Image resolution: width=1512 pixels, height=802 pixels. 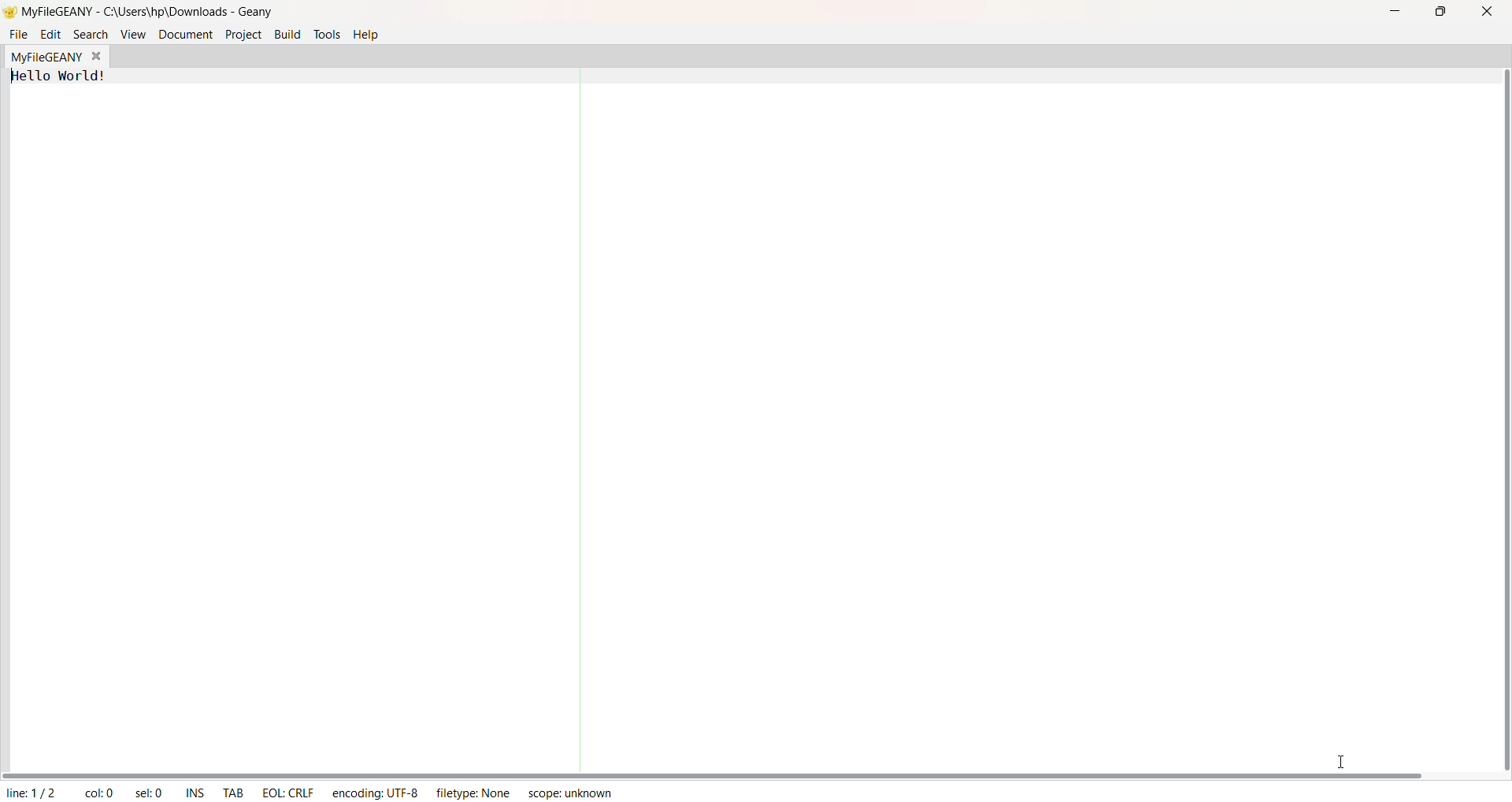 I want to click on Scope: unknown, so click(x=569, y=794).